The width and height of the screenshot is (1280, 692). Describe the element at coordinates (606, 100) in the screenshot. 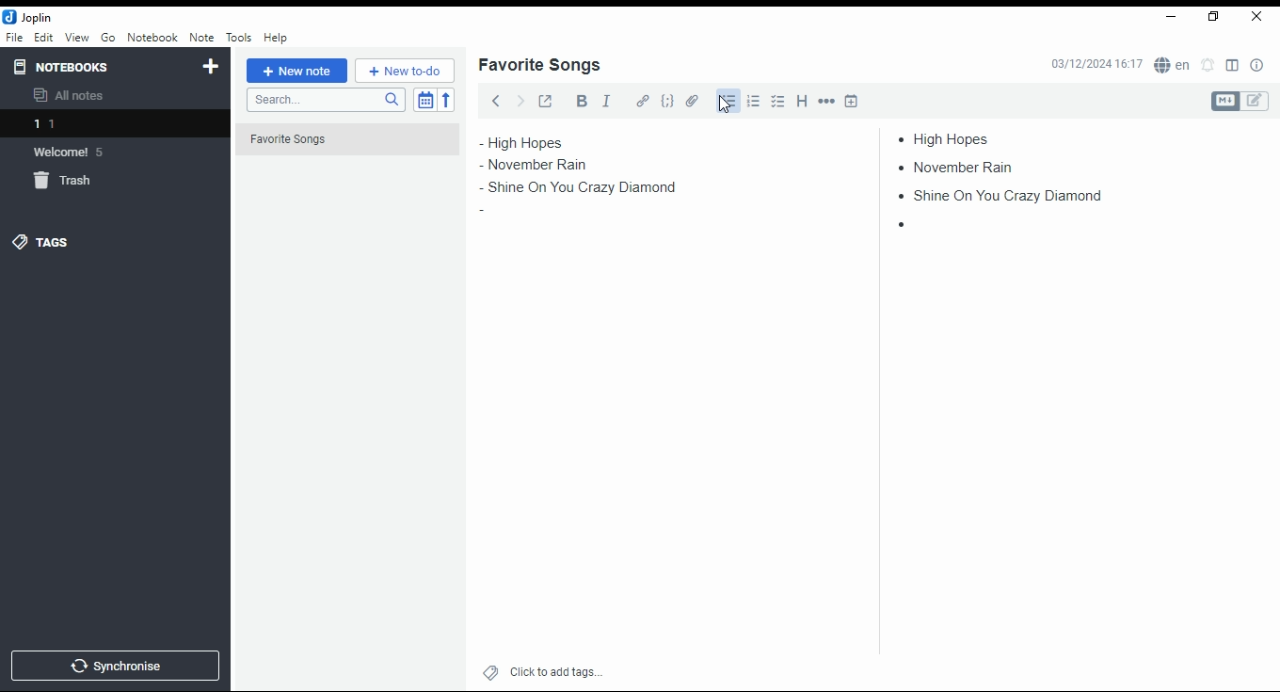

I see `italics` at that location.